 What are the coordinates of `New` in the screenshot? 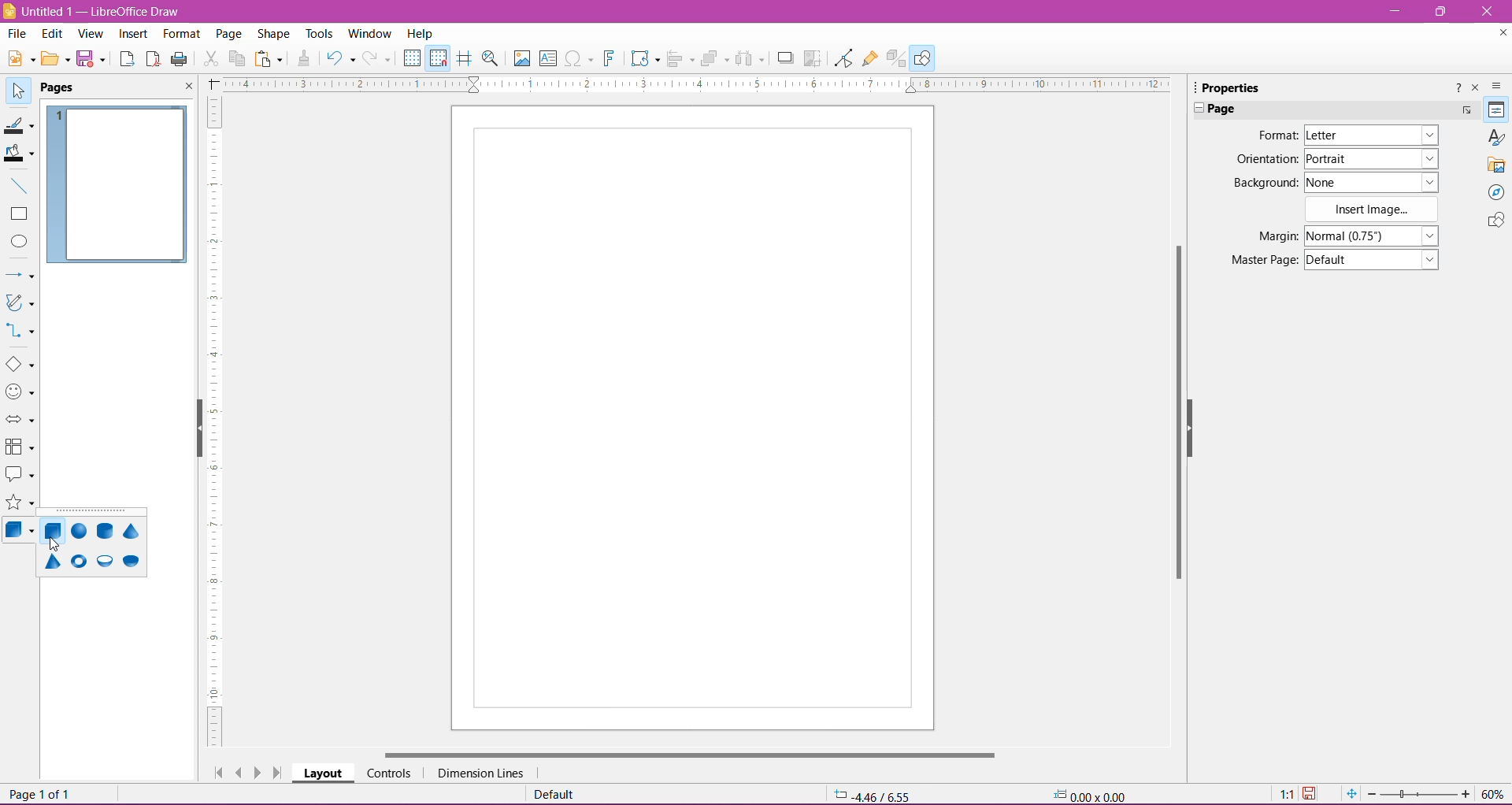 It's located at (19, 57).